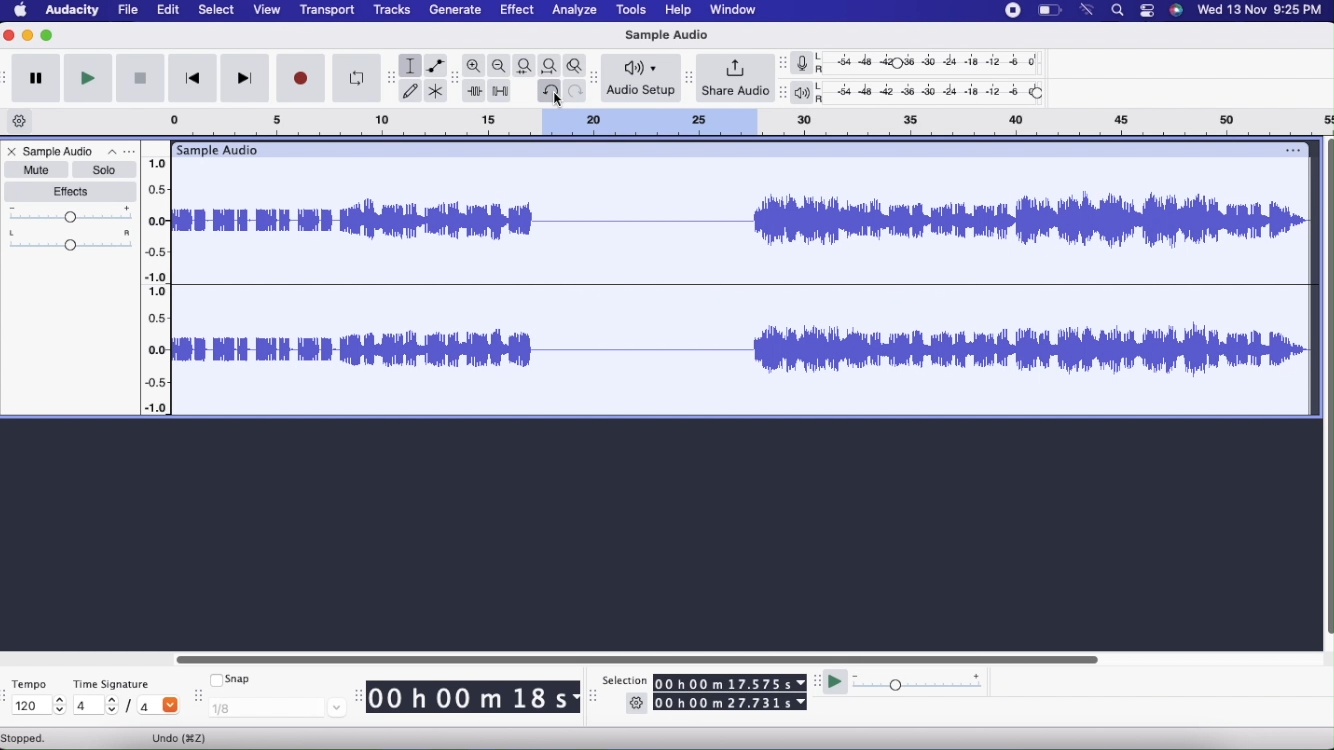 The height and width of the screenshot is (750, 1334). Describe the element at coordinates (1119, 11) in the screenshot. I see `spotlight` at that location.